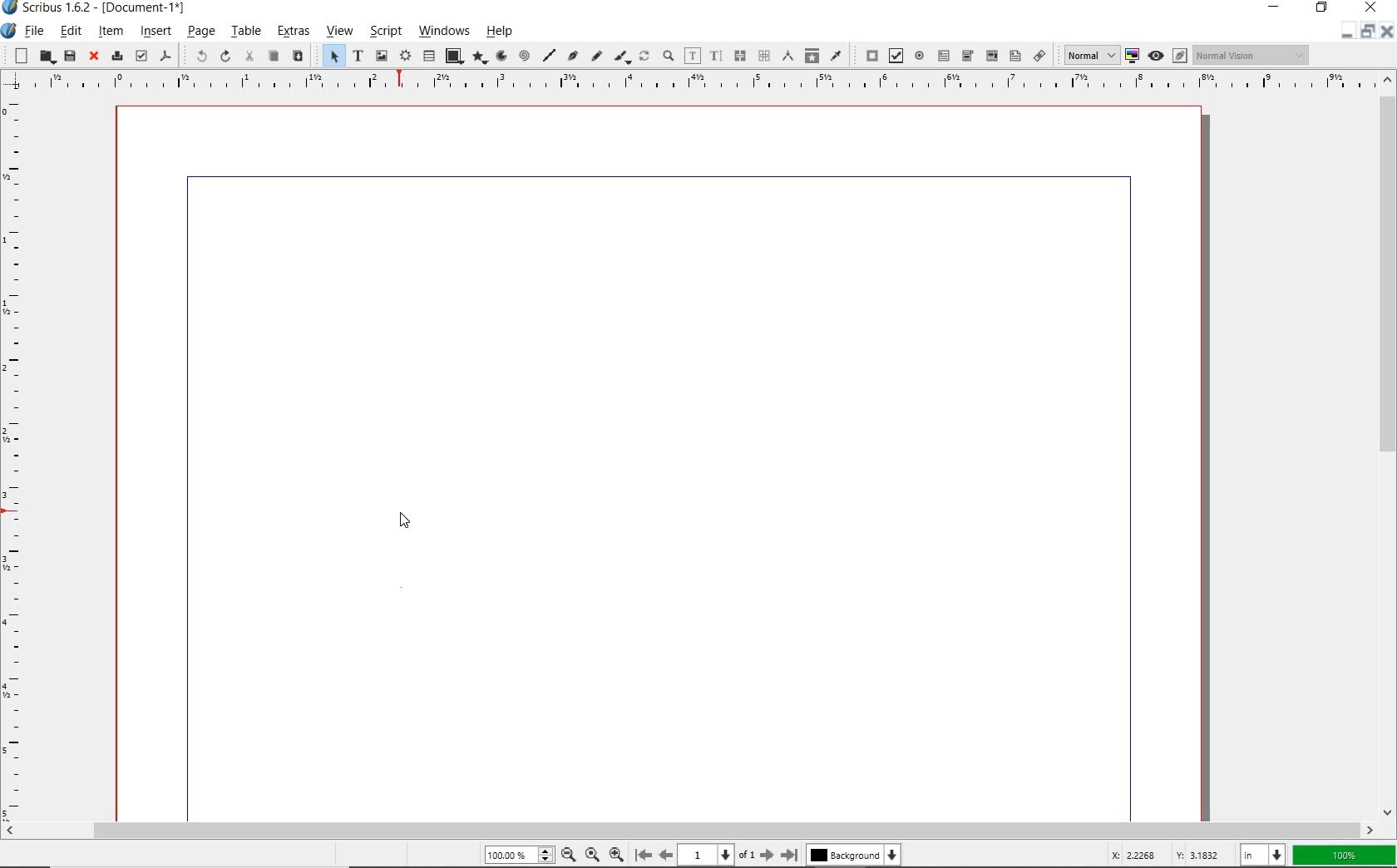 This screenshot has height=868, width=1397. Describe the element at coordinates (1155, 55) in the screenshot. I see `Preview mode` at that location.